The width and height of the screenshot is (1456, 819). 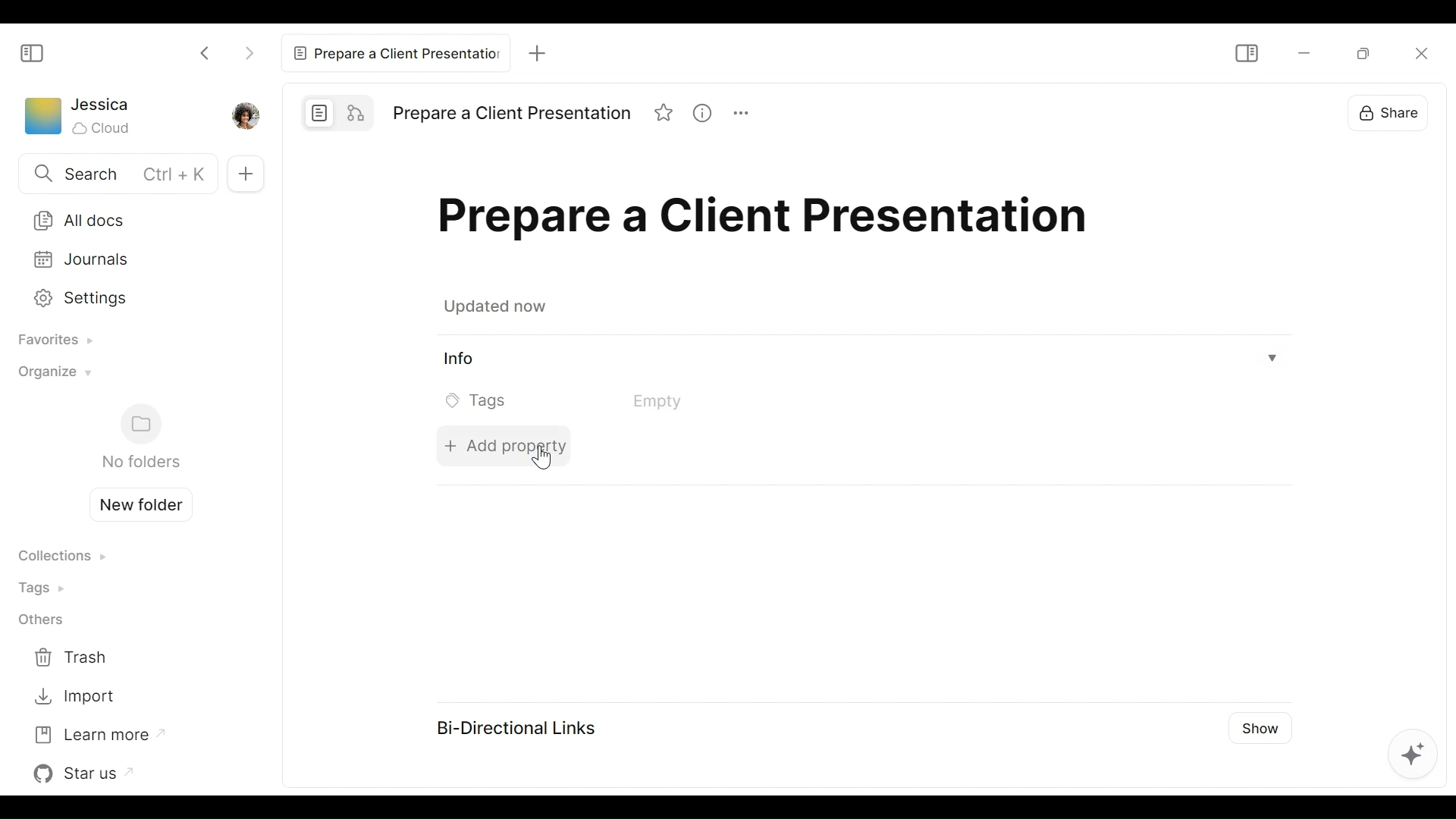 What do you see at coordinates (1302, 54) in the screenshot?
I see `minimize` at bounding box center [1302, 54].